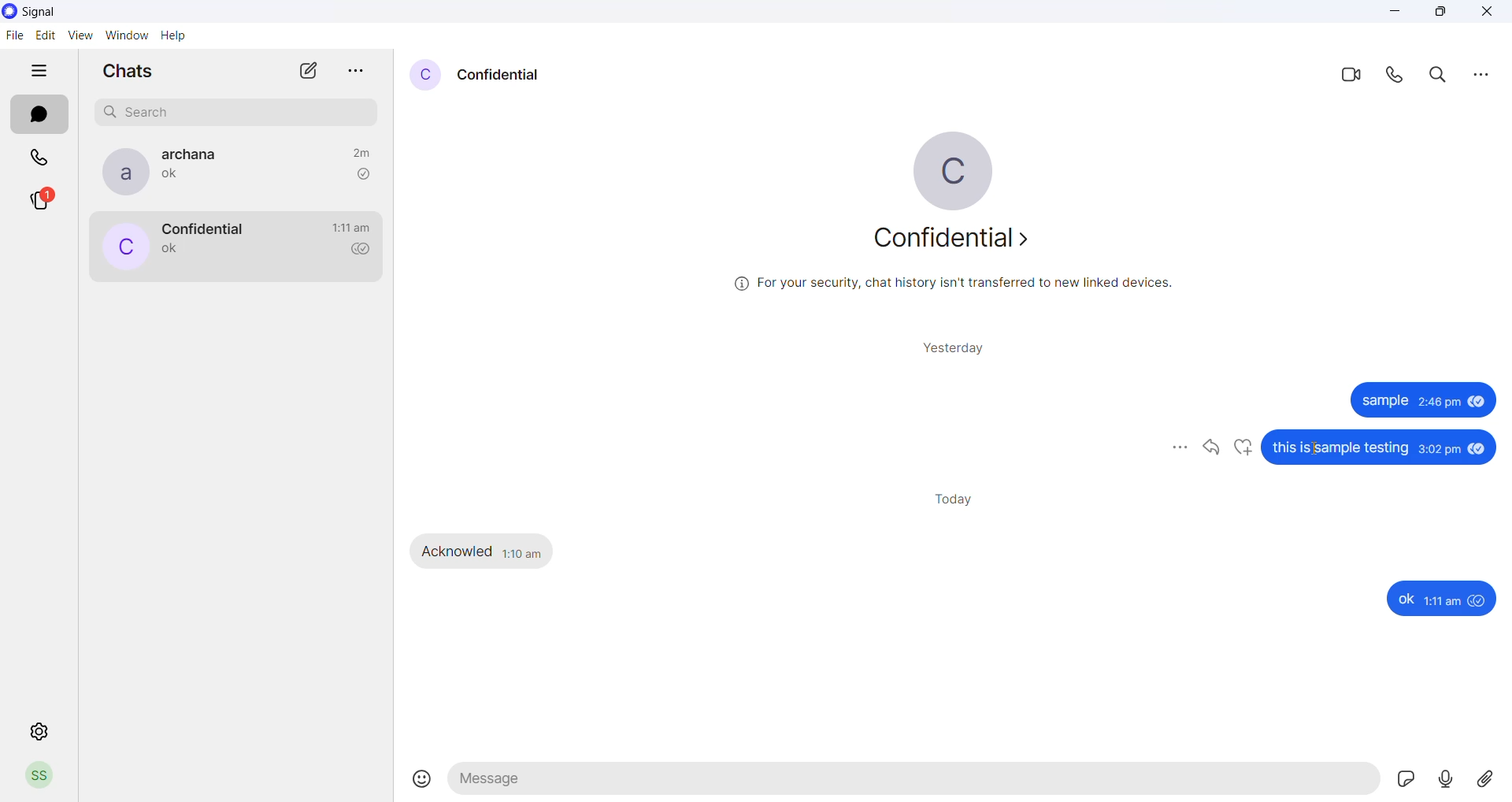 The width and height of the screenshot is (1512, 802). What do you see at coordinates (357, 66) in the screenshot?
I see `more options` at bounding box center [357, 66].